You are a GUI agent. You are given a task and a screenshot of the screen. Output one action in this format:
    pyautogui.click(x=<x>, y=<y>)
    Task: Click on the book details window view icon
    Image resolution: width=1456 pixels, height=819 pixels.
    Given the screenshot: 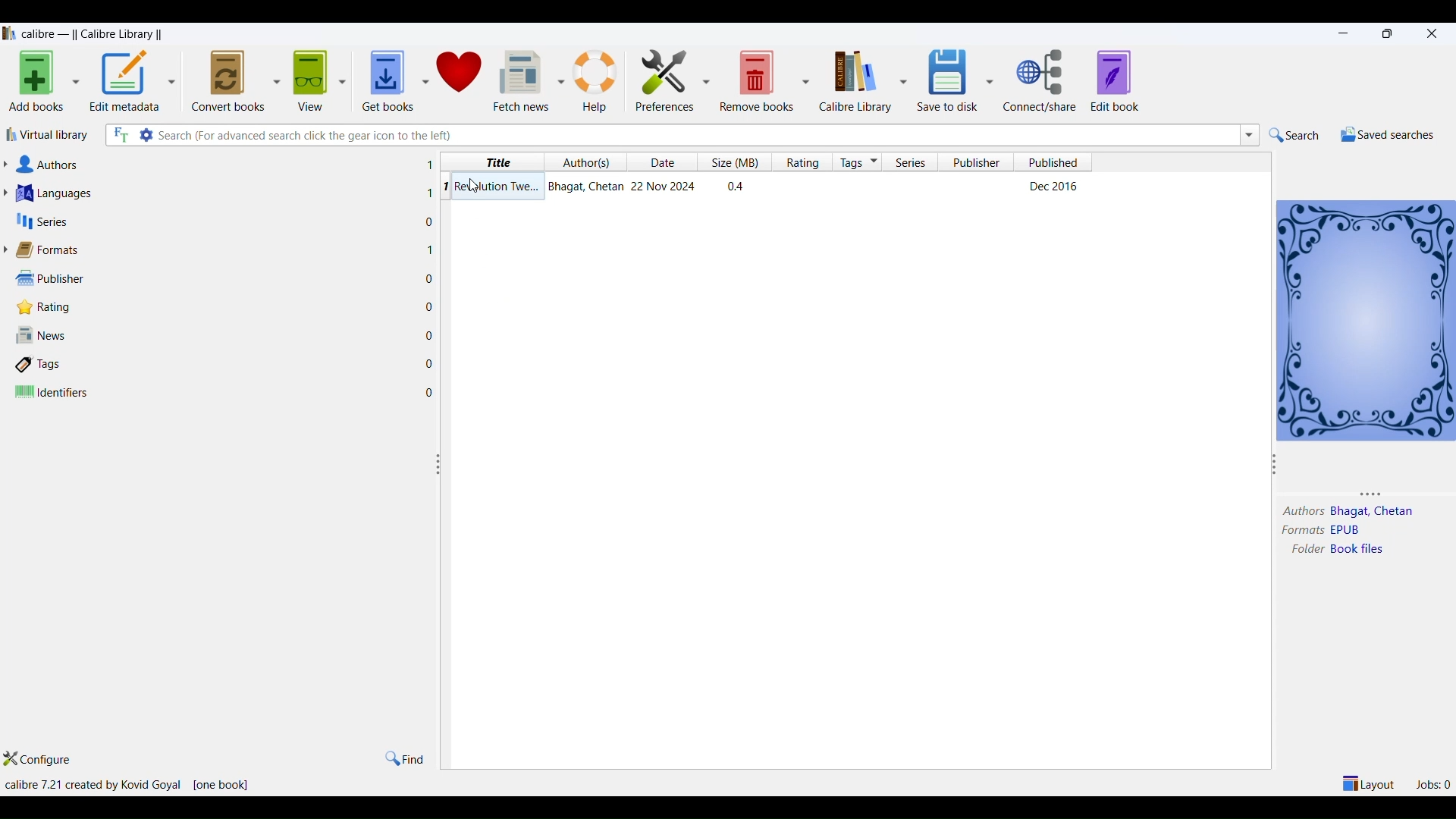 What is the action you would take?
    pyautogui.click(x=1366, y=318)
    